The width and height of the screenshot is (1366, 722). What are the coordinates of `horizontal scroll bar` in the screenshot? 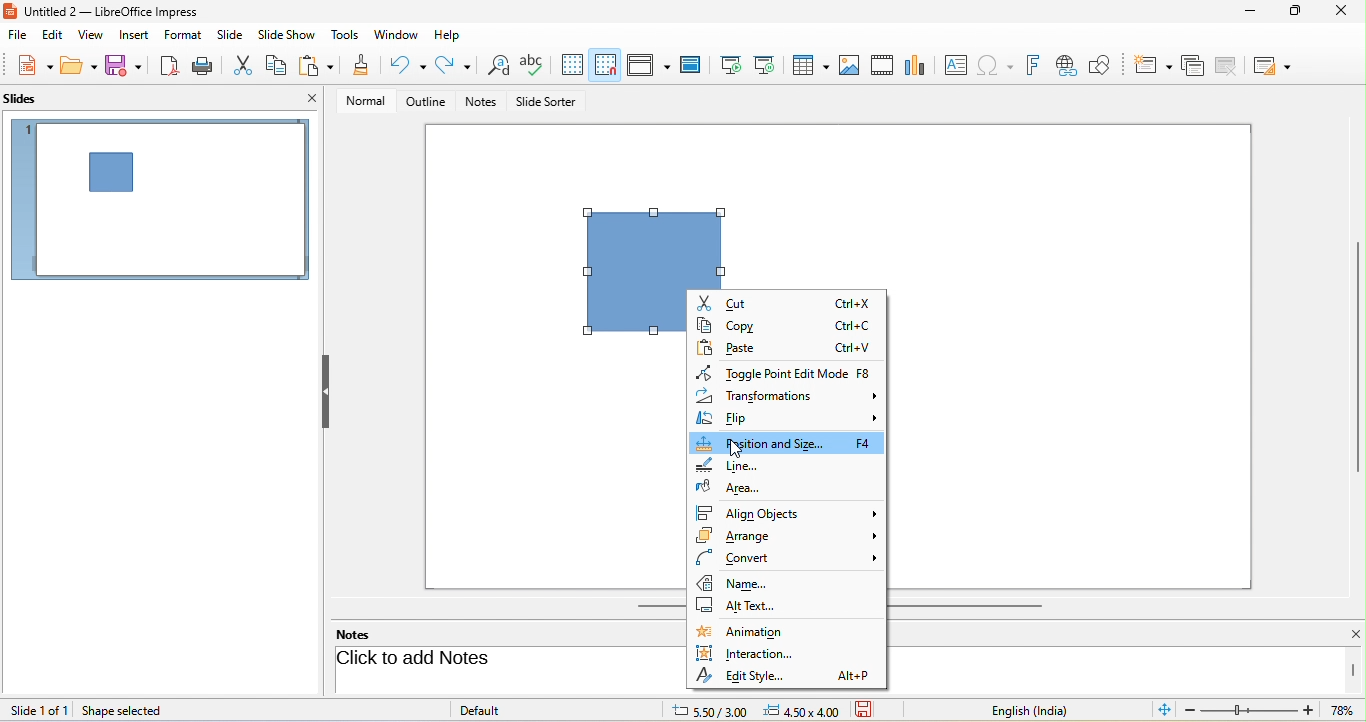 It's located at (968, 604).